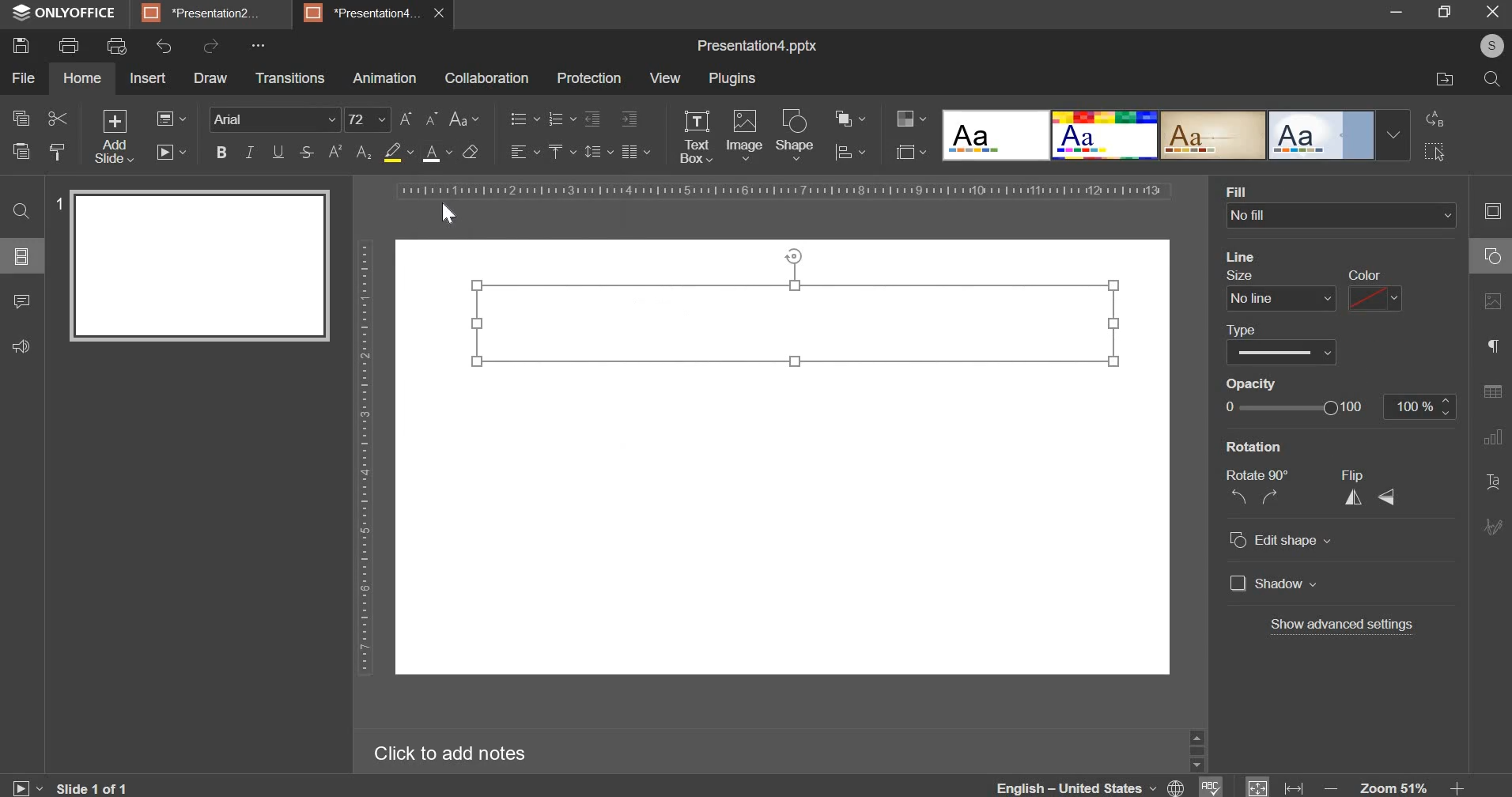 Image resolution: width=1512 pixels, height=797 pixels. I want to click on find, so click(22, 213).